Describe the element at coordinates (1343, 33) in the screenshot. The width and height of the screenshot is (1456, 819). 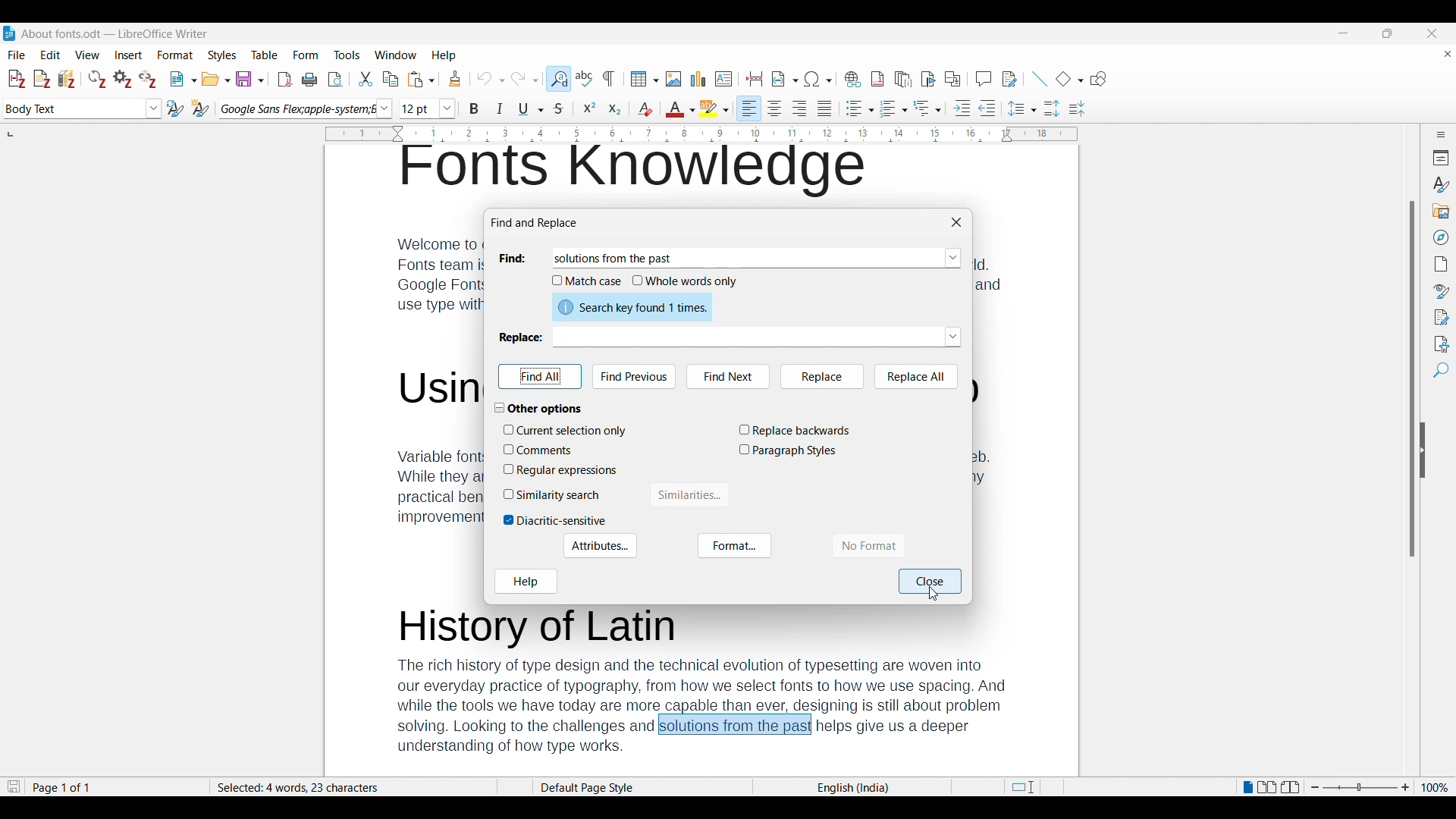
I see `Minimize` at that location.